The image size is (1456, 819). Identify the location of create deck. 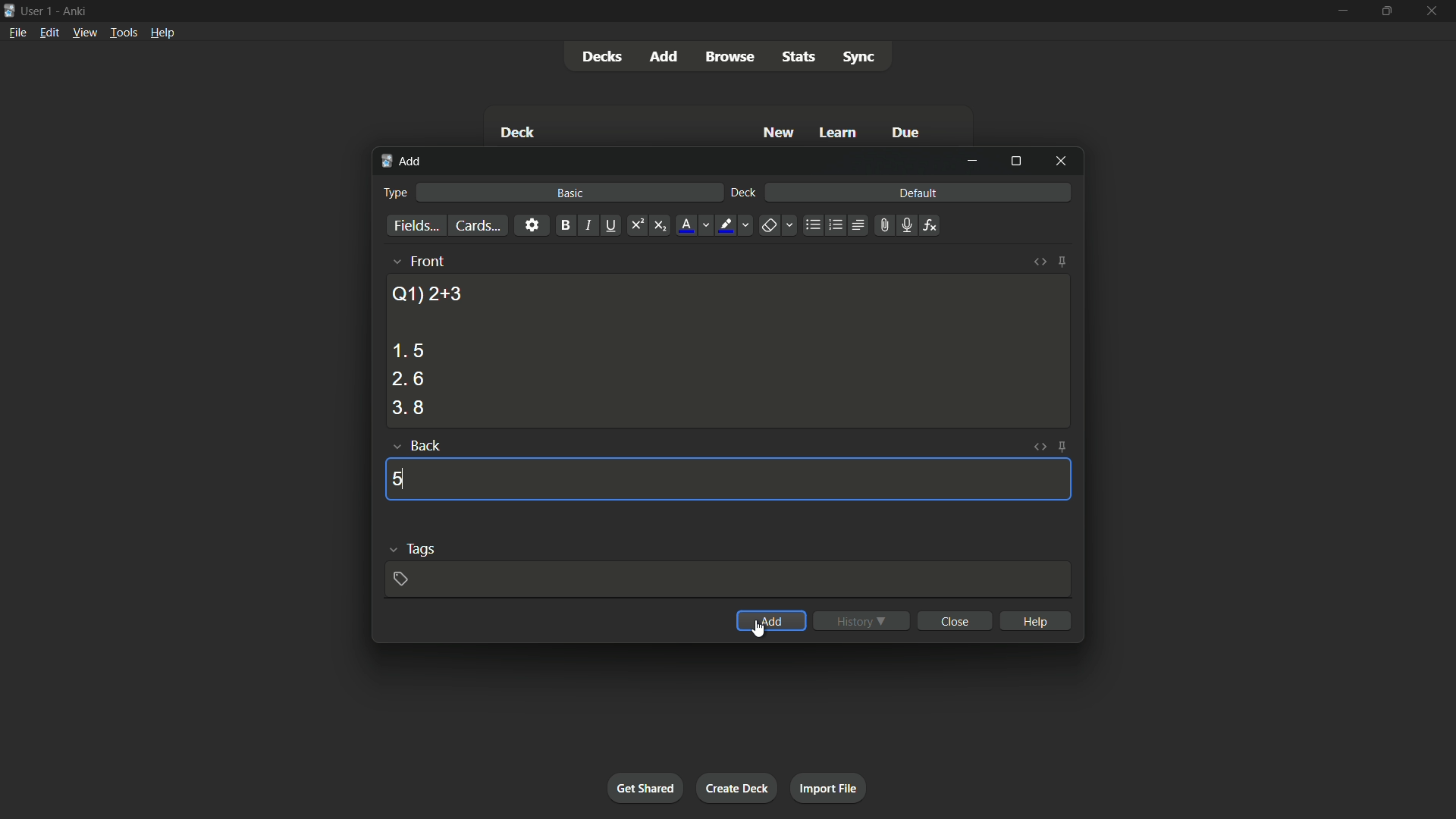
(736, 787).